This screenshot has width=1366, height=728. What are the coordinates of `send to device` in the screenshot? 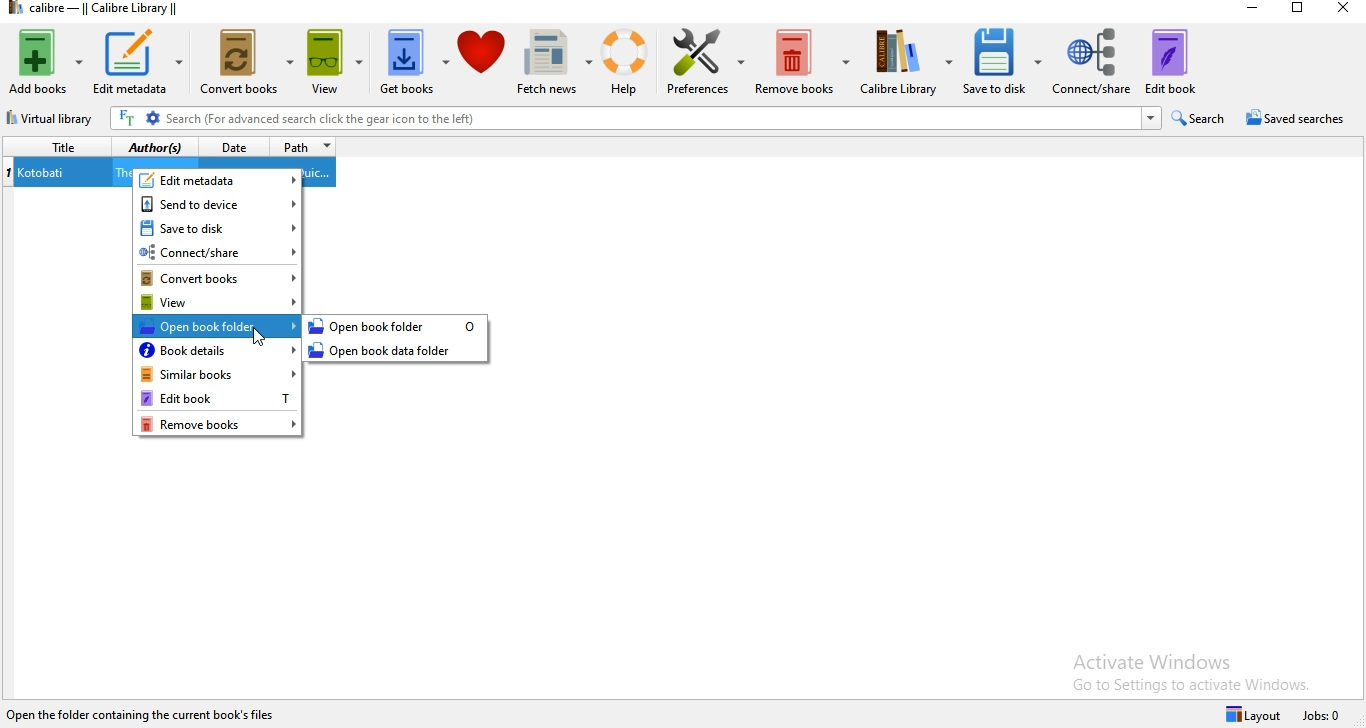 It's located at (220, 204).